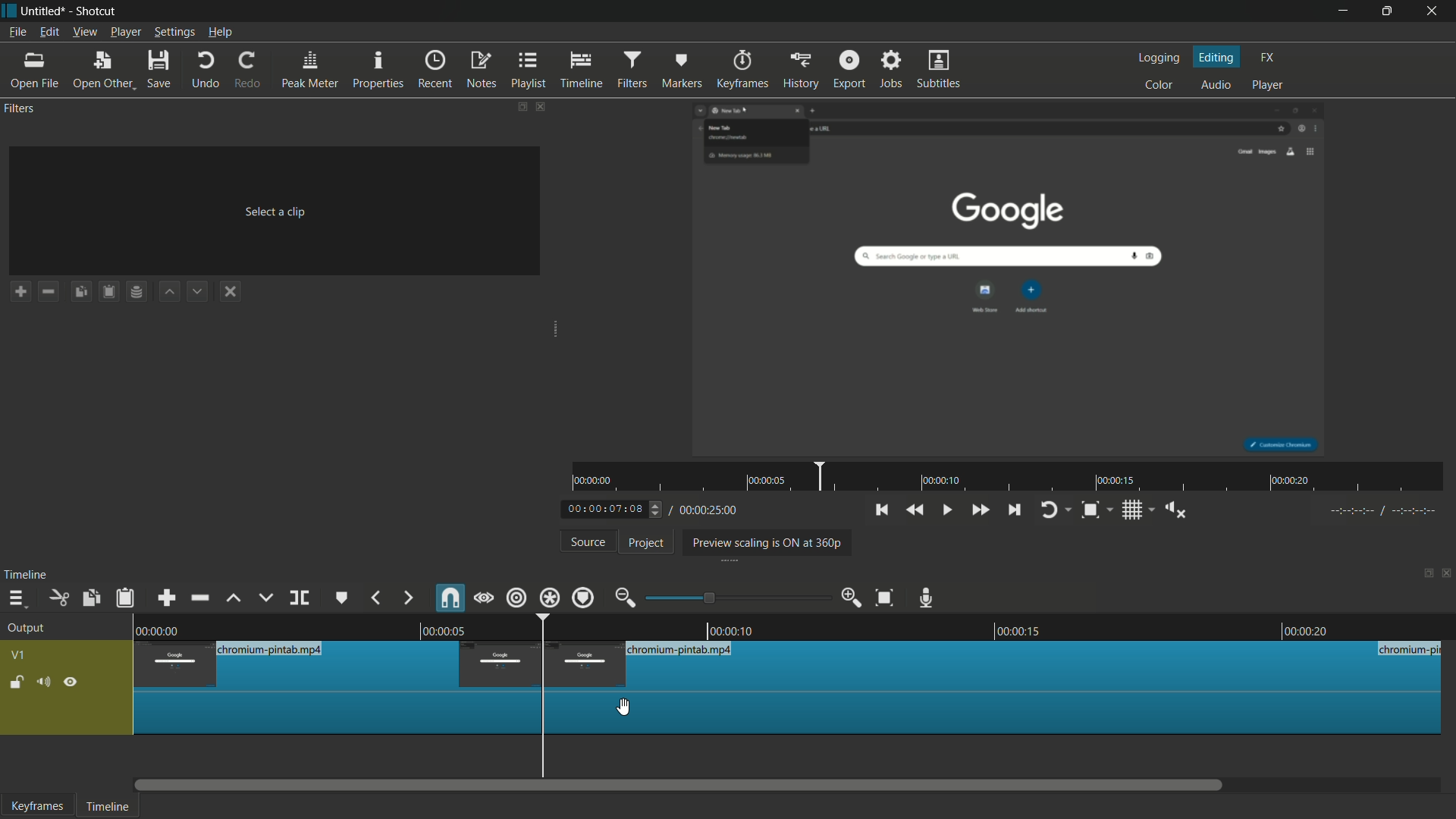 This screenshot has width=1456, height=819. What do you see at coordinates (265, 598) in the screenshot?
I see `overwrite` at bounding box center [265, 598].